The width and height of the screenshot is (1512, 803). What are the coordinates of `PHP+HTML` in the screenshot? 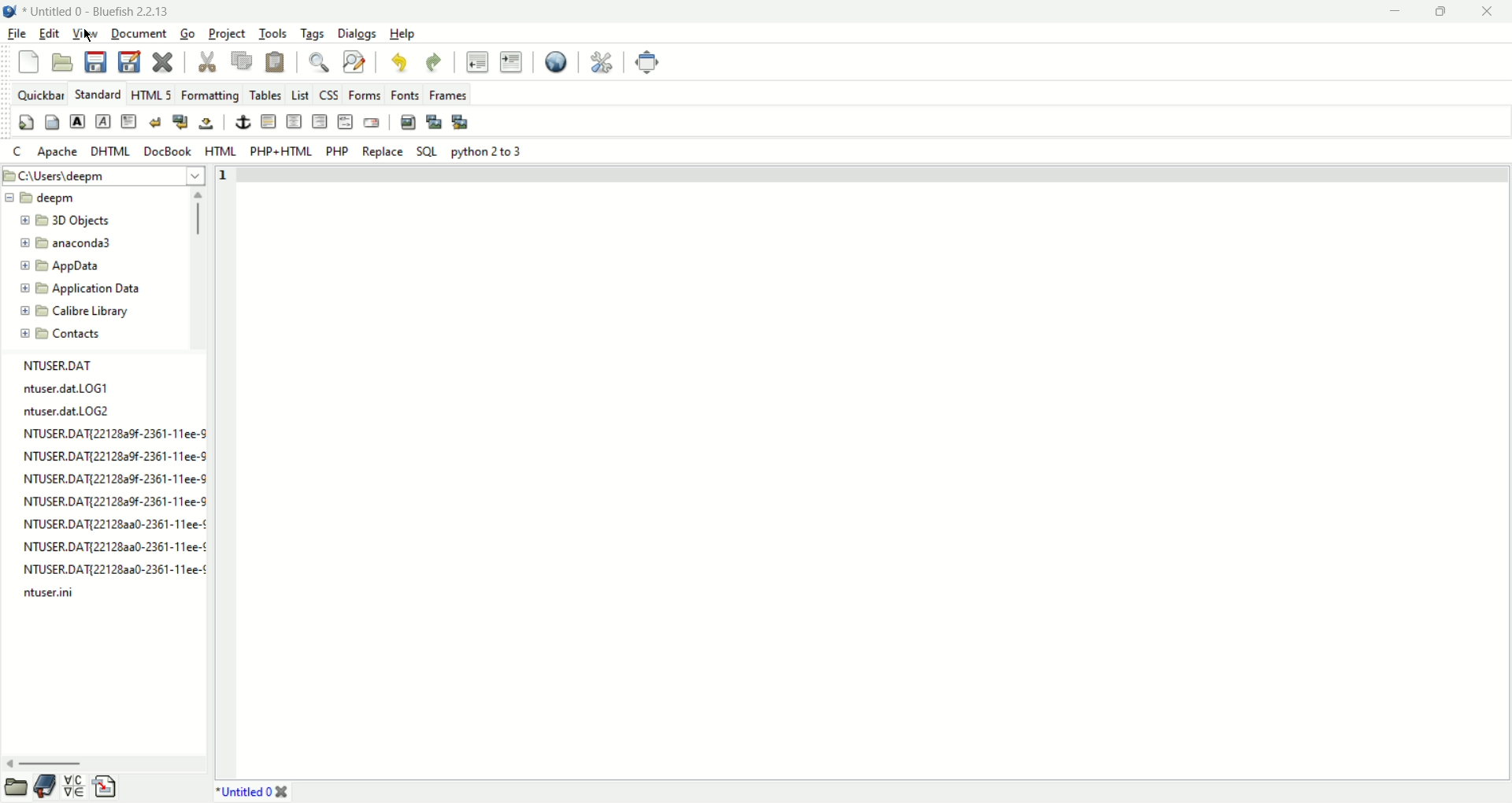 It's located at (281, 152).